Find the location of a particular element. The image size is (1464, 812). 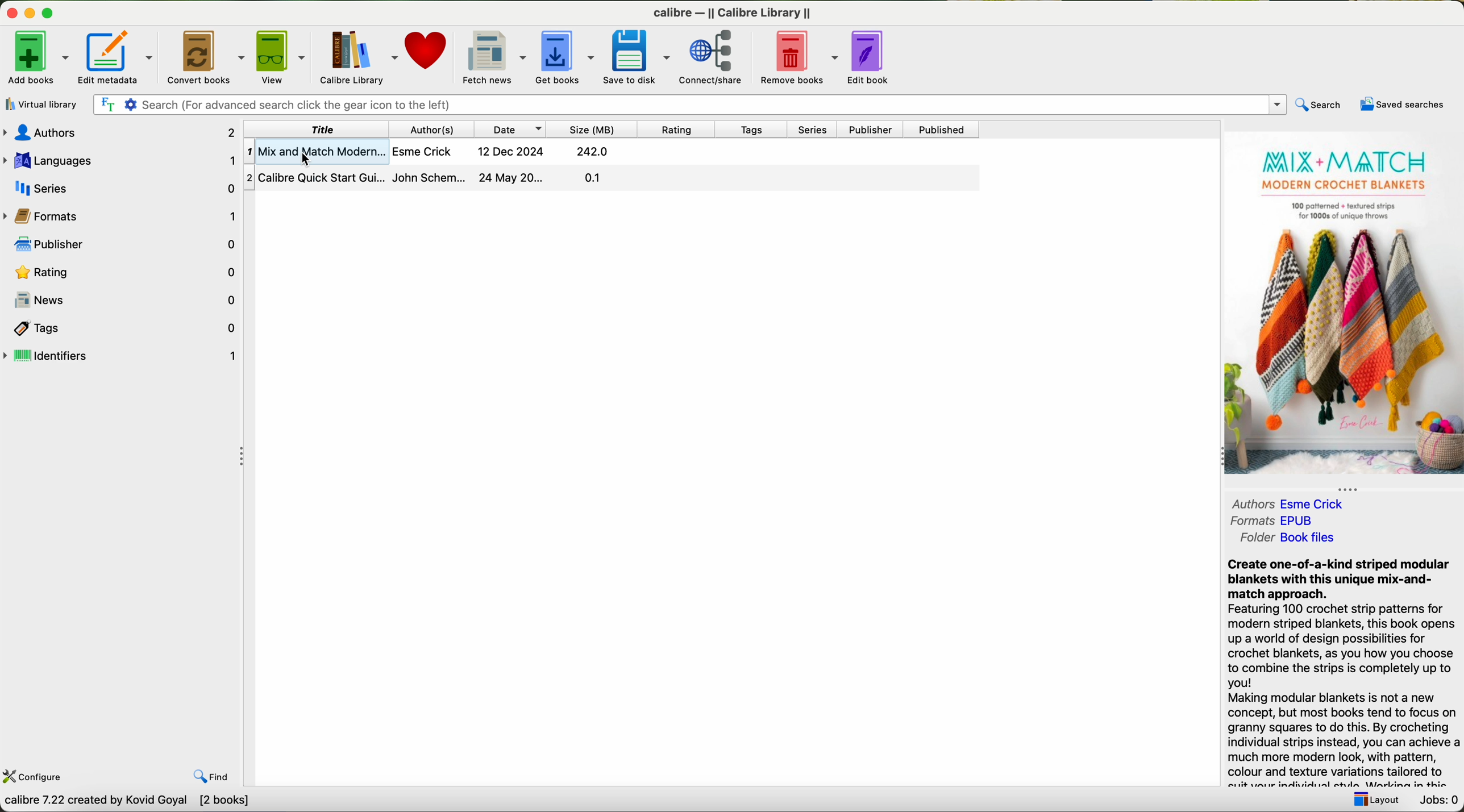

connect/share is located at coordinates (714, 57).